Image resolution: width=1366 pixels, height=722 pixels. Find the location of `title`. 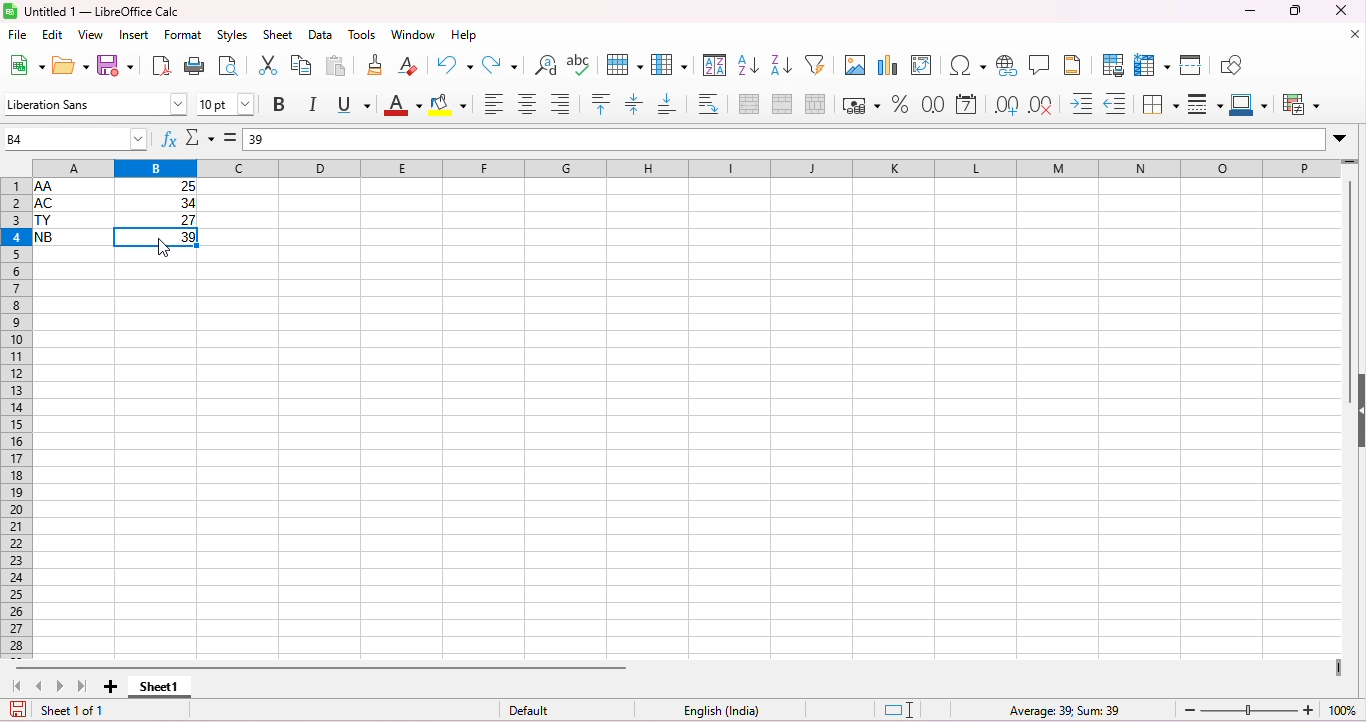

title is located at coordinates (92, 12).